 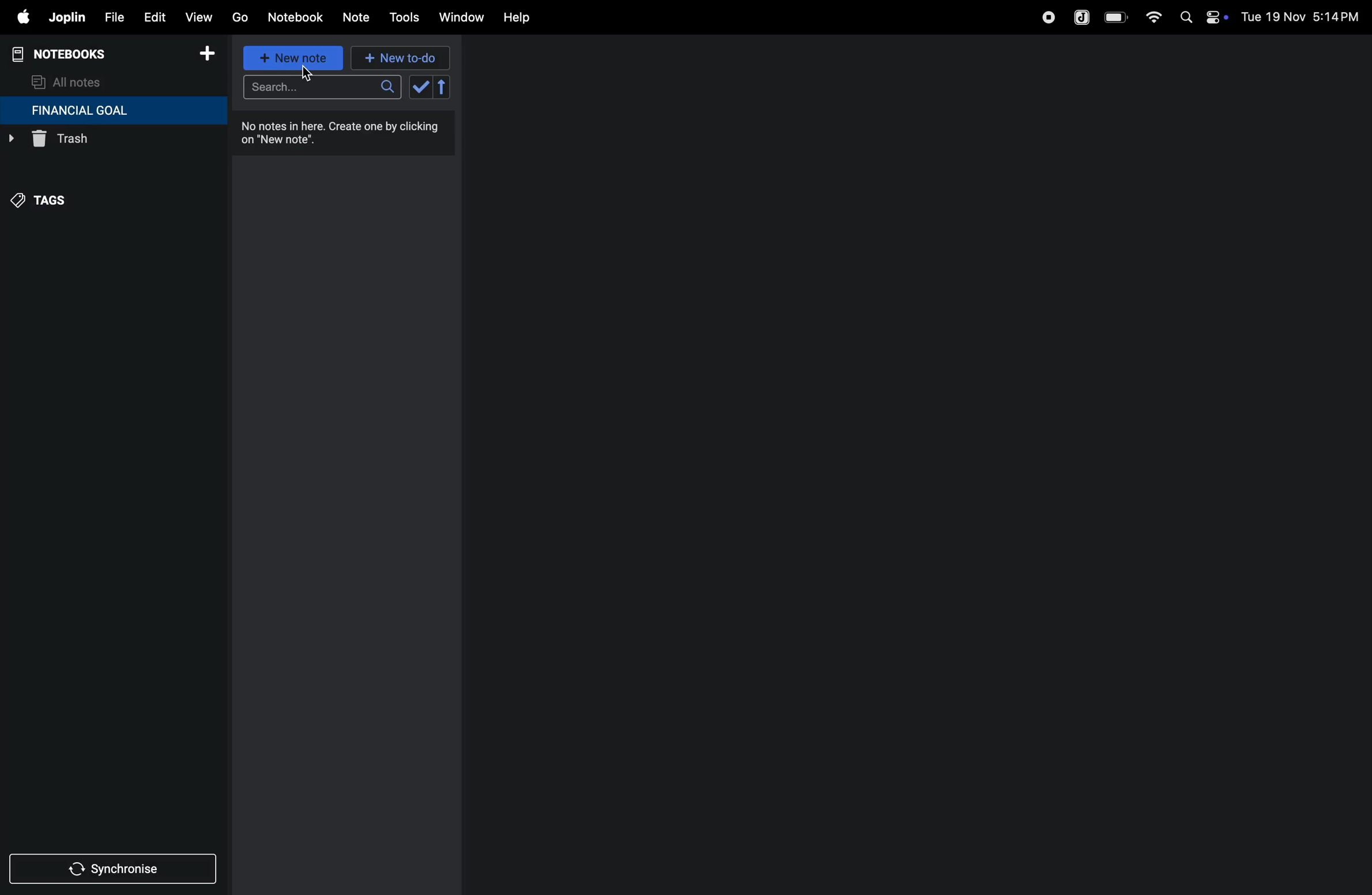 I want to click on battery, so click(x=1117, y=17).